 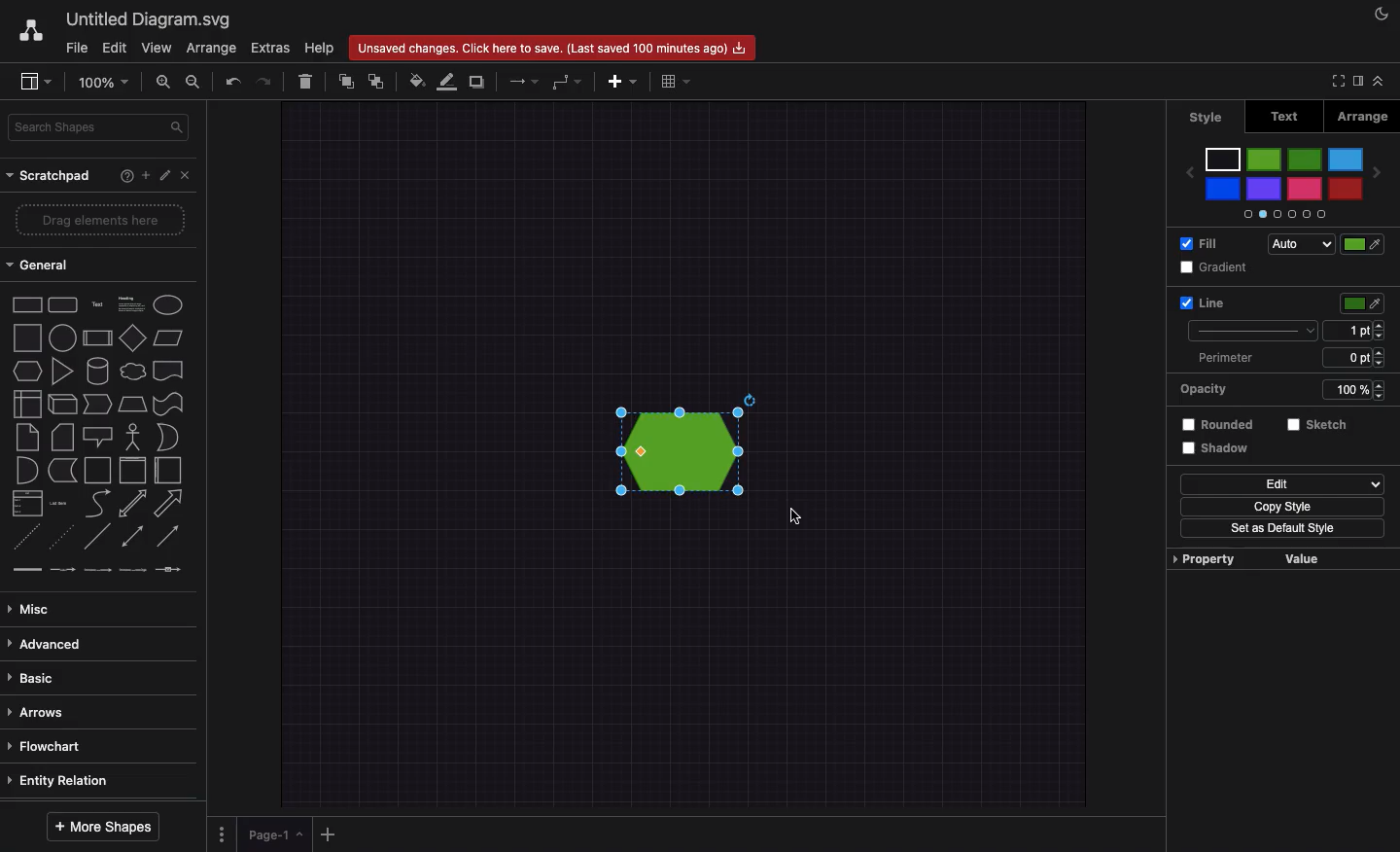 I want to click on Misc, so click(x=36, y=611).